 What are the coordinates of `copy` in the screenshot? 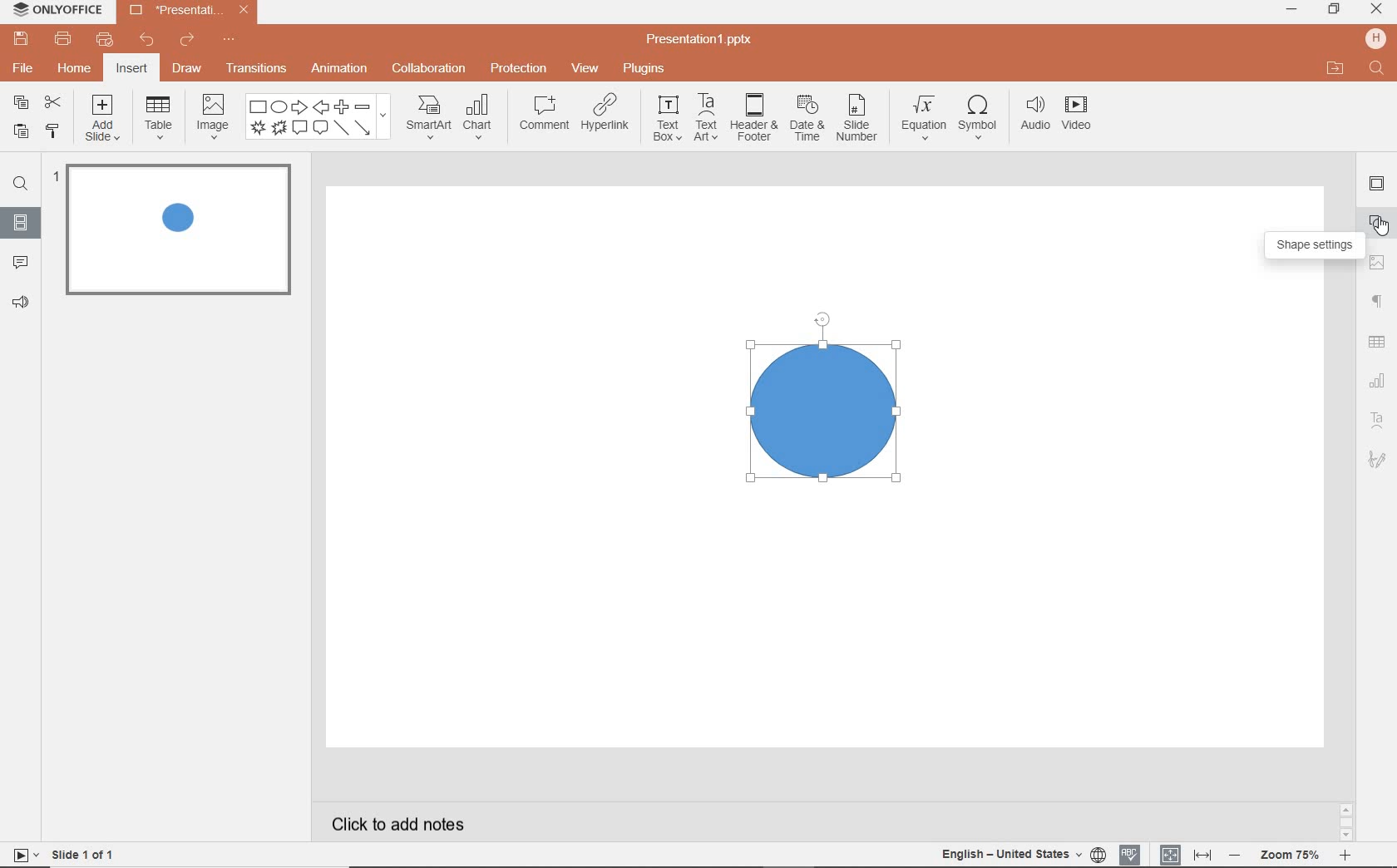 It's located at (23, 104).